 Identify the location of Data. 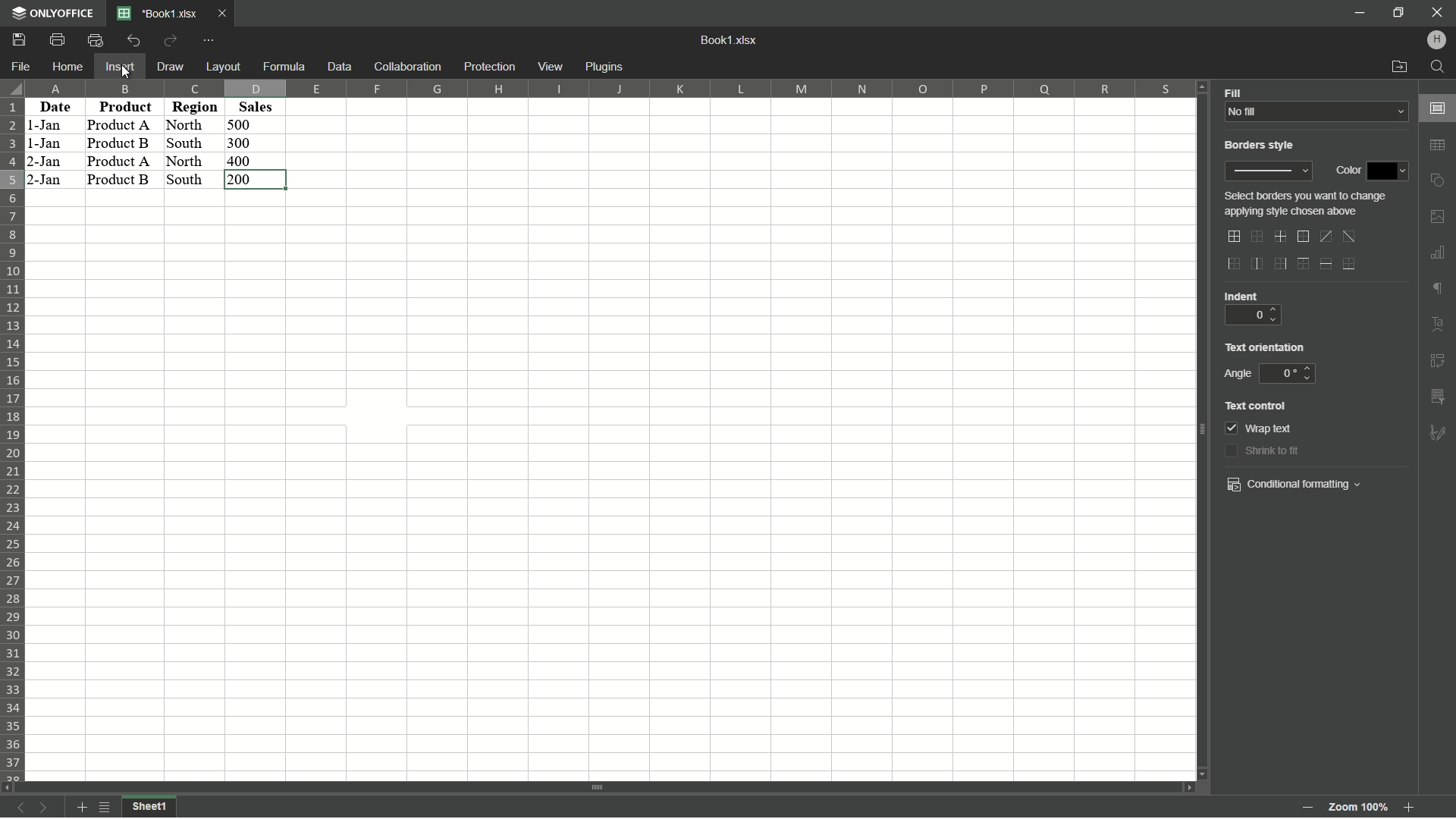
(337, 66).